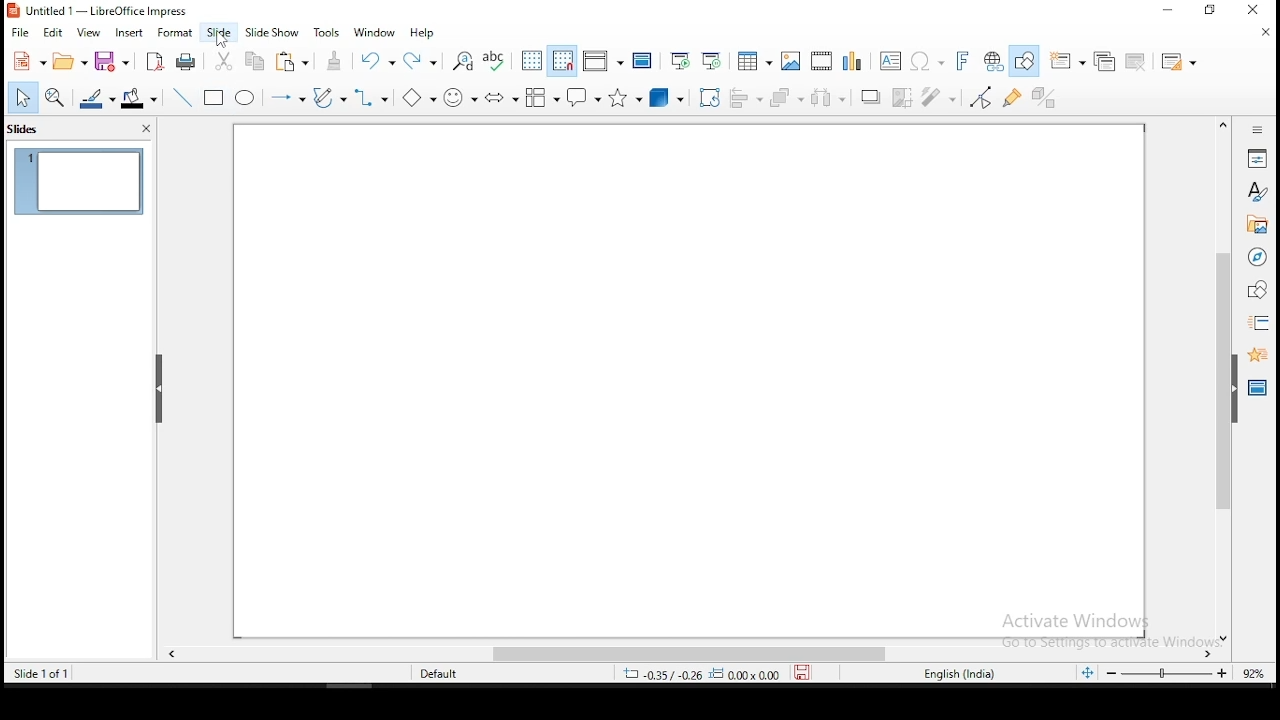  Describe the element at coordinates (961, 60) in the screenshot. I see `fontwork text` at that location.